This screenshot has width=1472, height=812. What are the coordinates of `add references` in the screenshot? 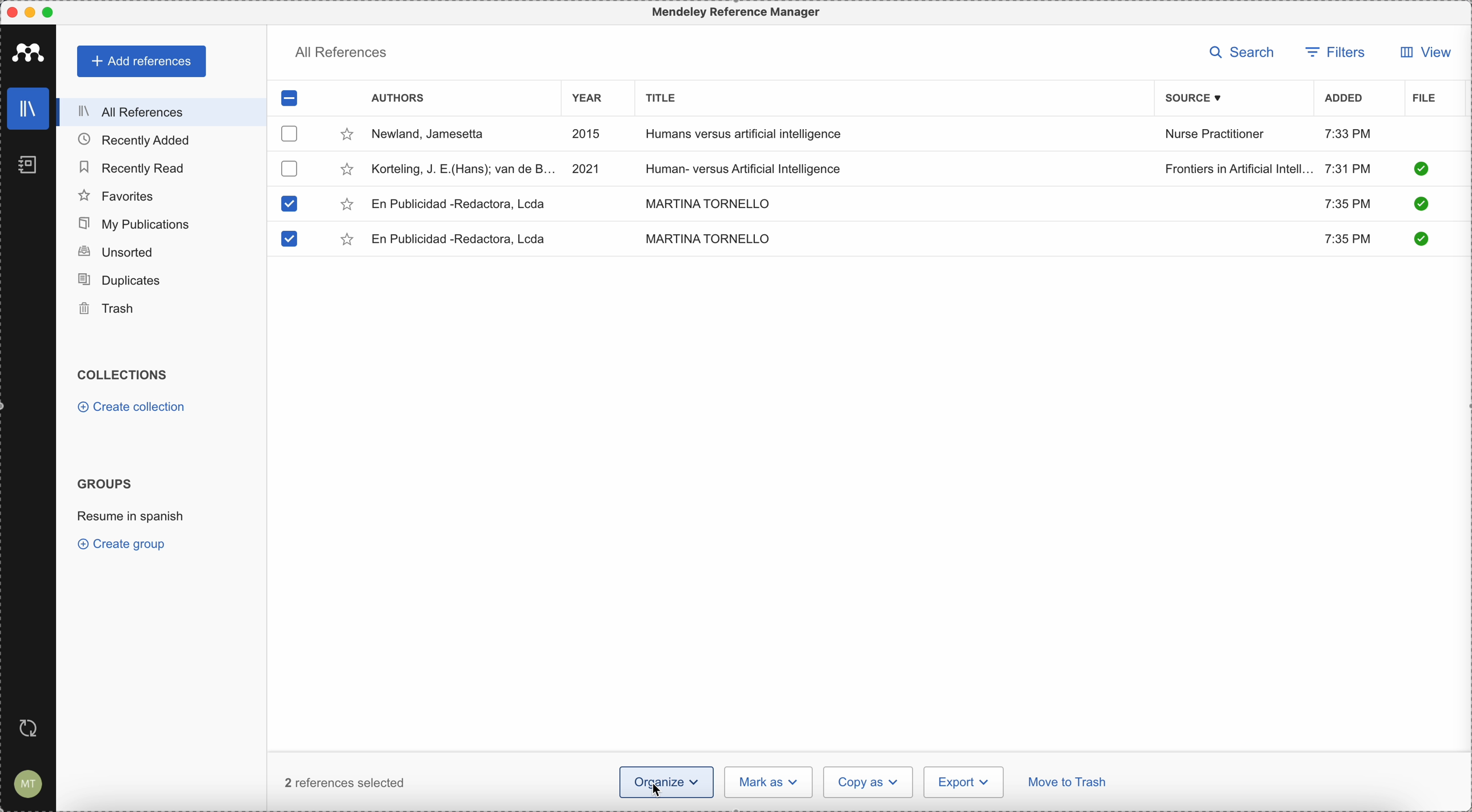 It's located at (143, 62).